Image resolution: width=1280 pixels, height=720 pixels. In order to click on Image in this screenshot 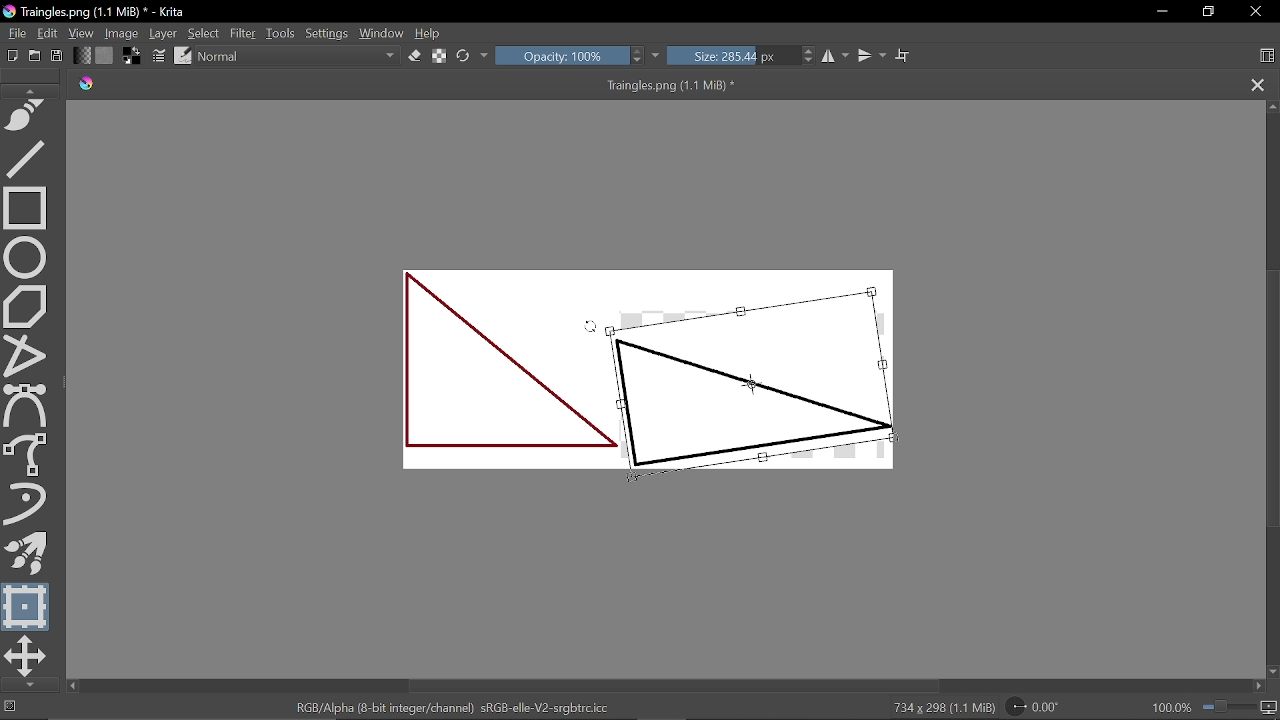, I will do `click(123, 33)`.